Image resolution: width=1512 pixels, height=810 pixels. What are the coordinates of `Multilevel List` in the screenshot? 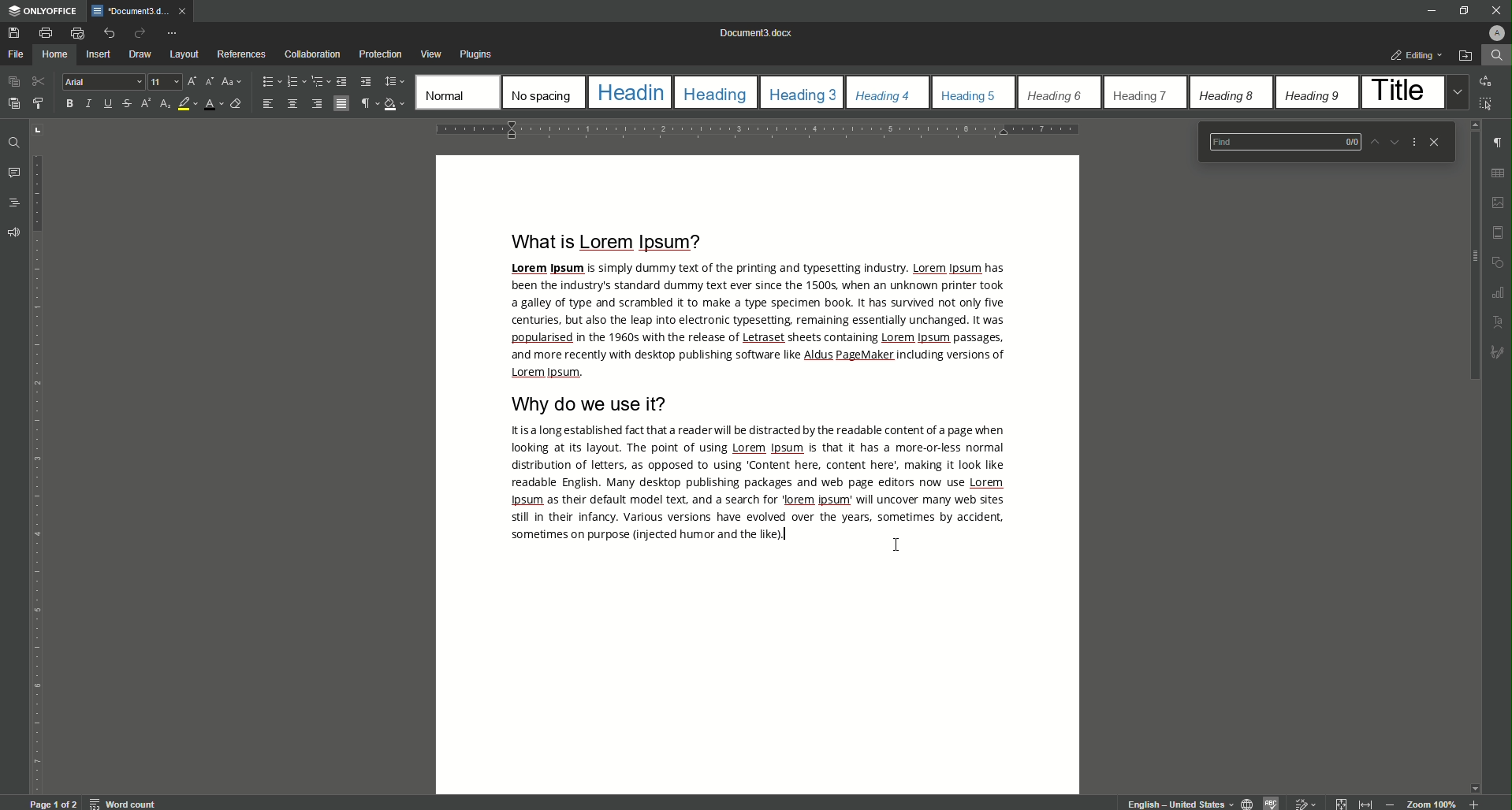 It's located at (317, 81).